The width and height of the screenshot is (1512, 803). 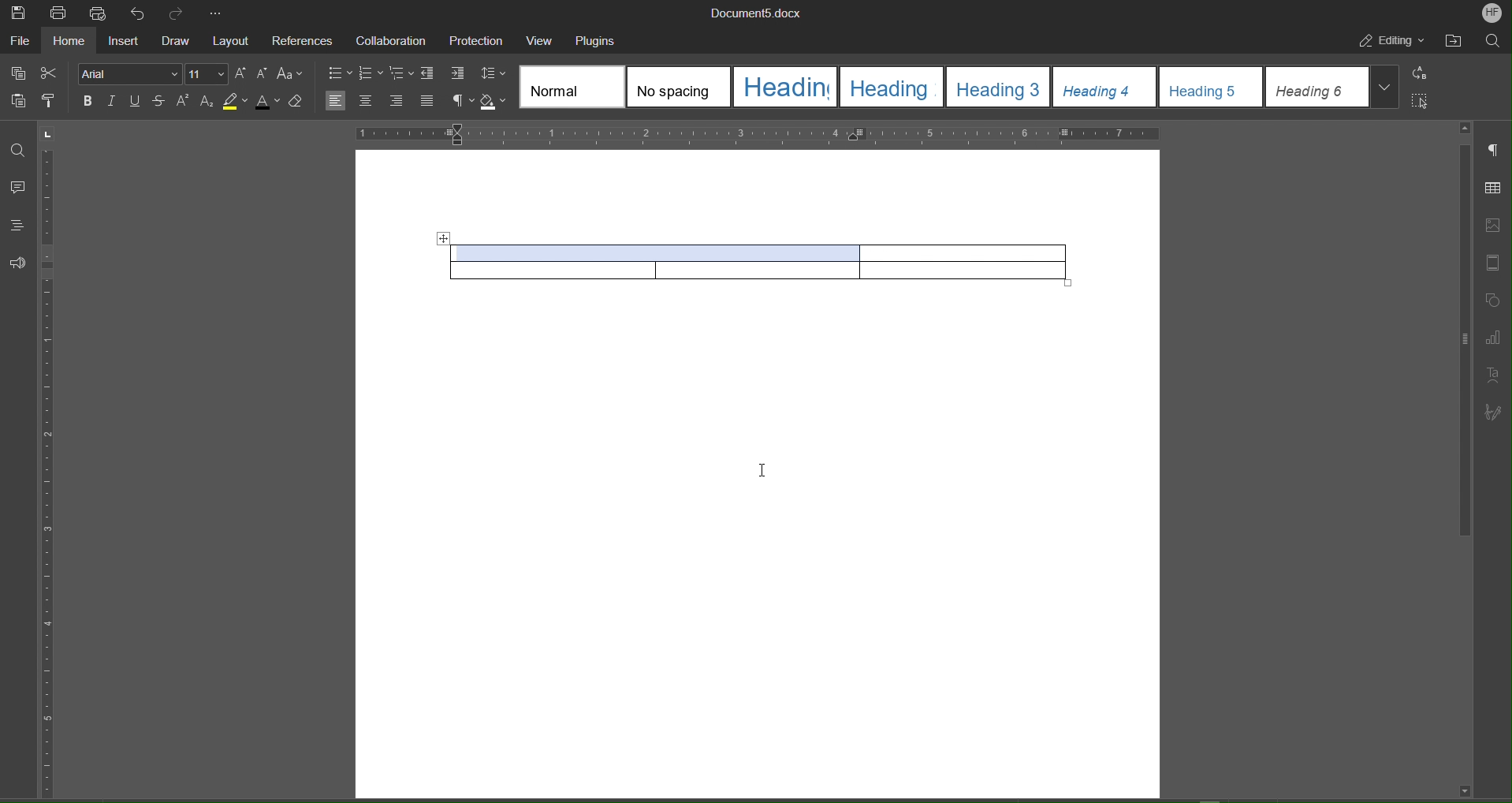 I want to click on Text Case Settings, so click(x=292, y=73).